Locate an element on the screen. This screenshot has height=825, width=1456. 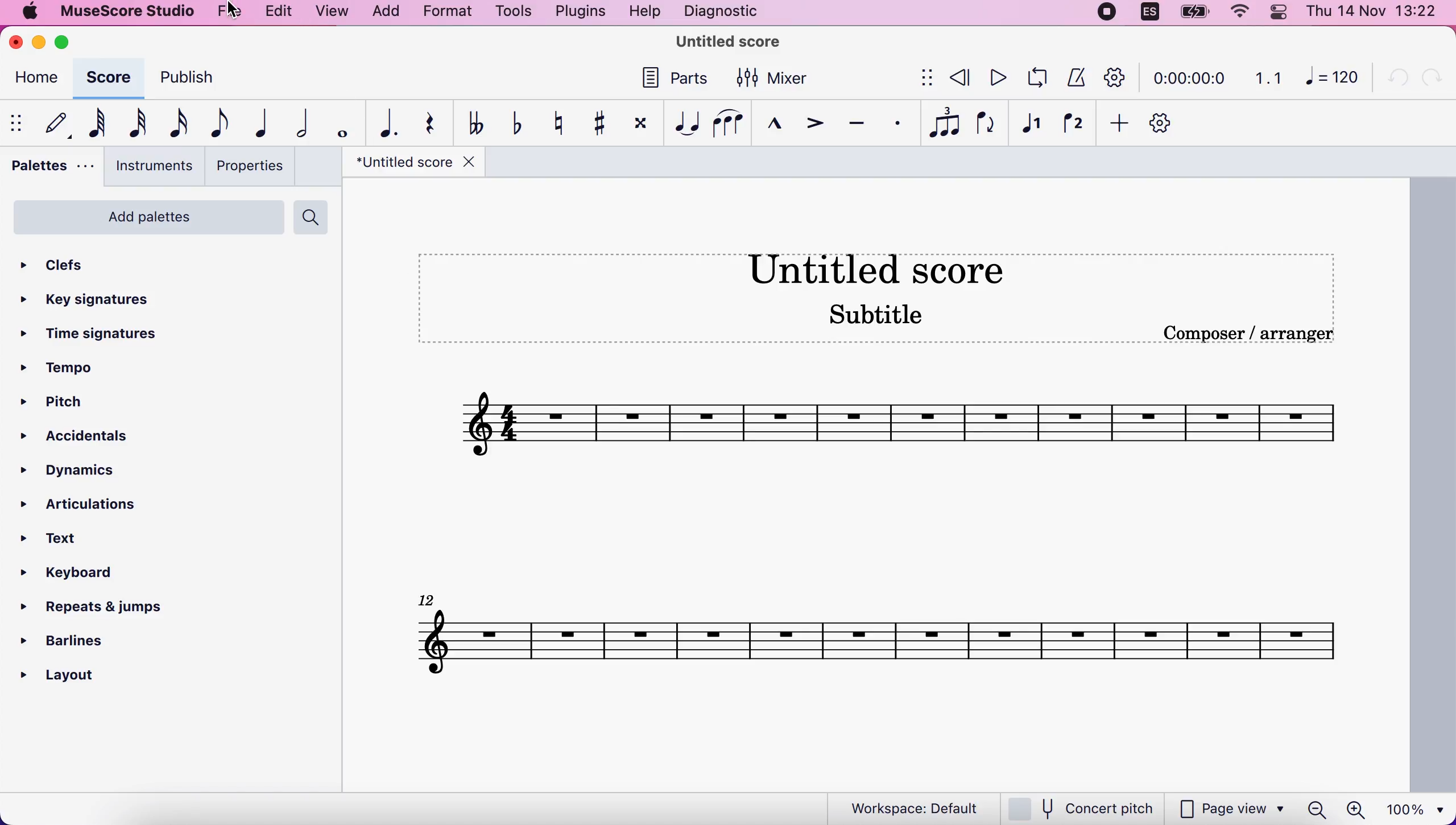
title is located at coordinates (729, 40).